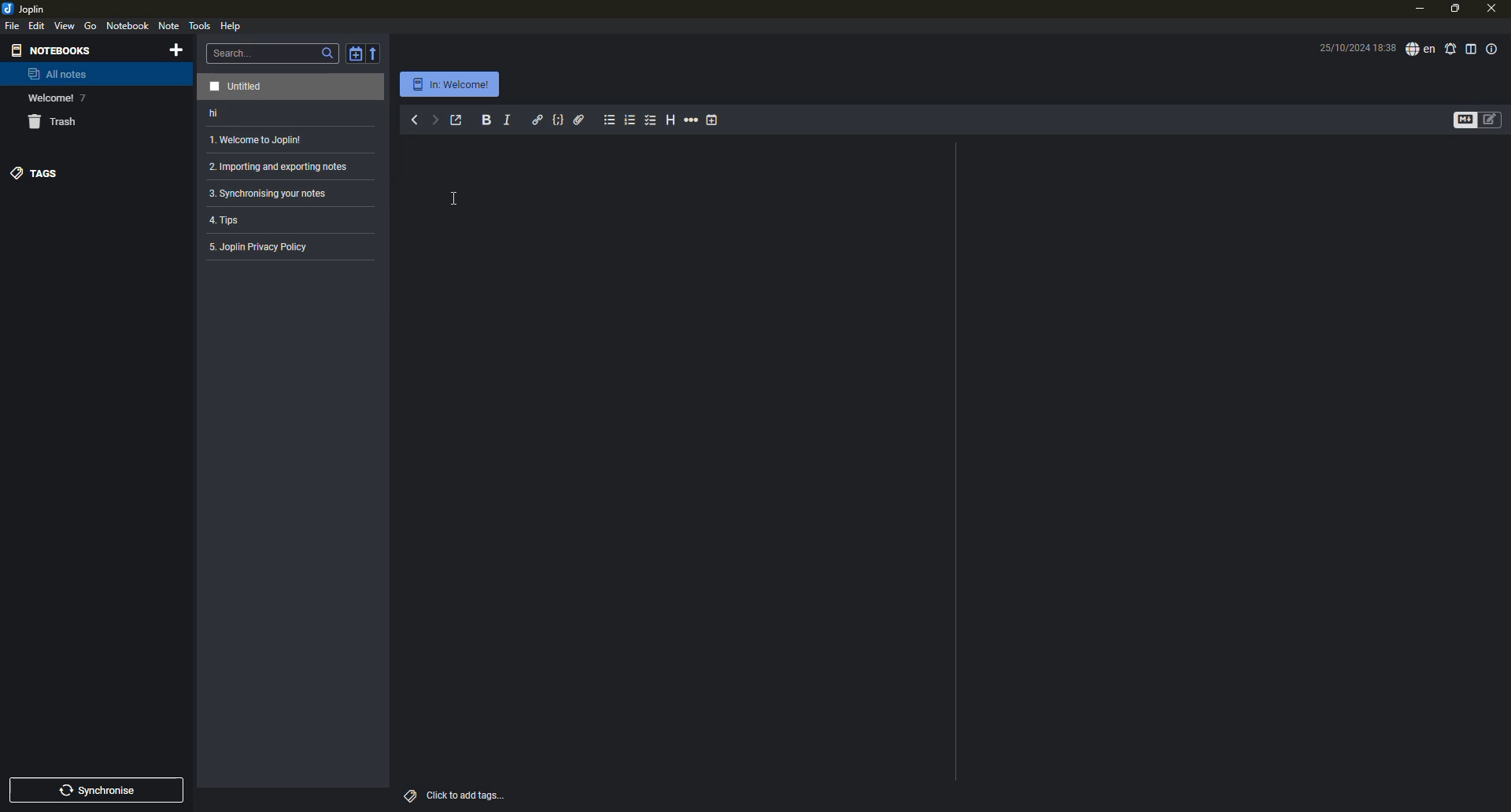 The image size is (1511, 812). What do you see at coordinates (1459, 120) in the screenshot?
I see `toggle editors` at bounding box center [1459, 120].